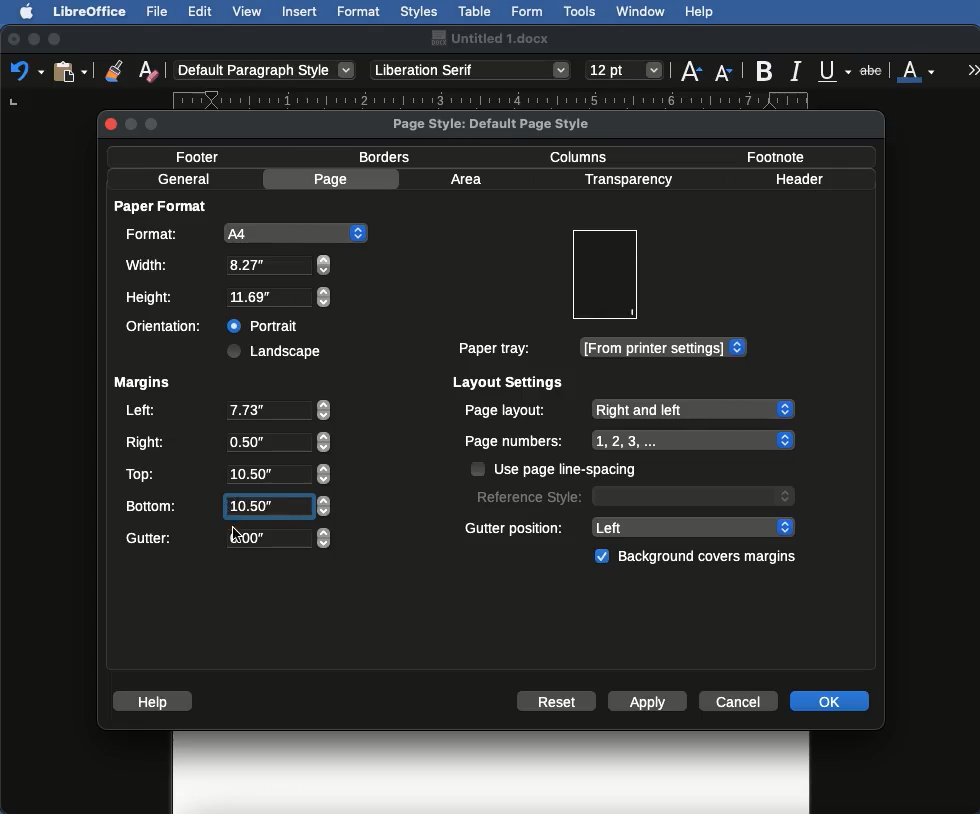 The height and width of the screenshot is (814, 980). Describe the element at coordinates (386, 157) in the screenshot. I see `Borders` at that location.